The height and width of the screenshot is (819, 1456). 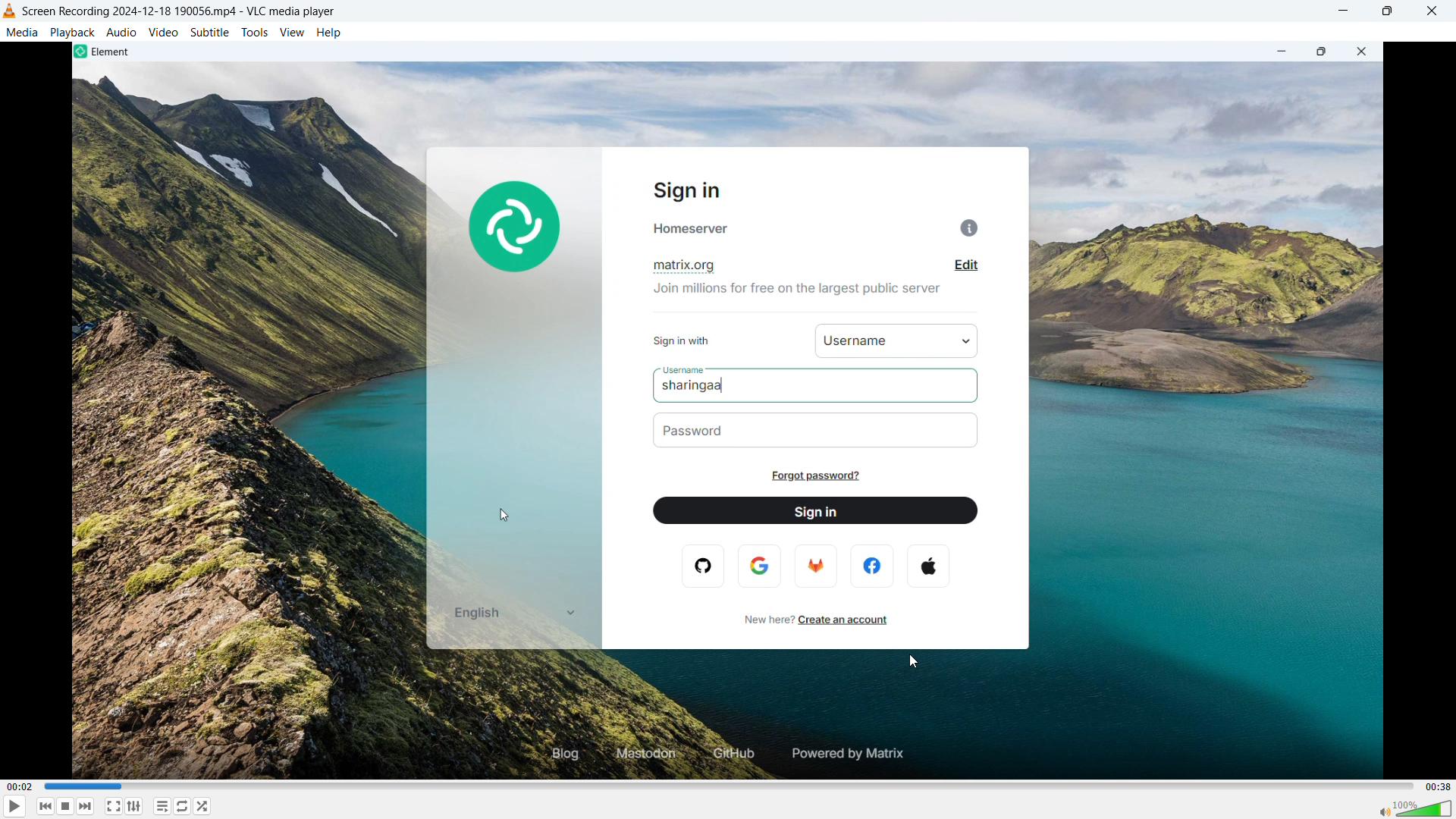 I want to click on Help , so click(x=329, y=32).